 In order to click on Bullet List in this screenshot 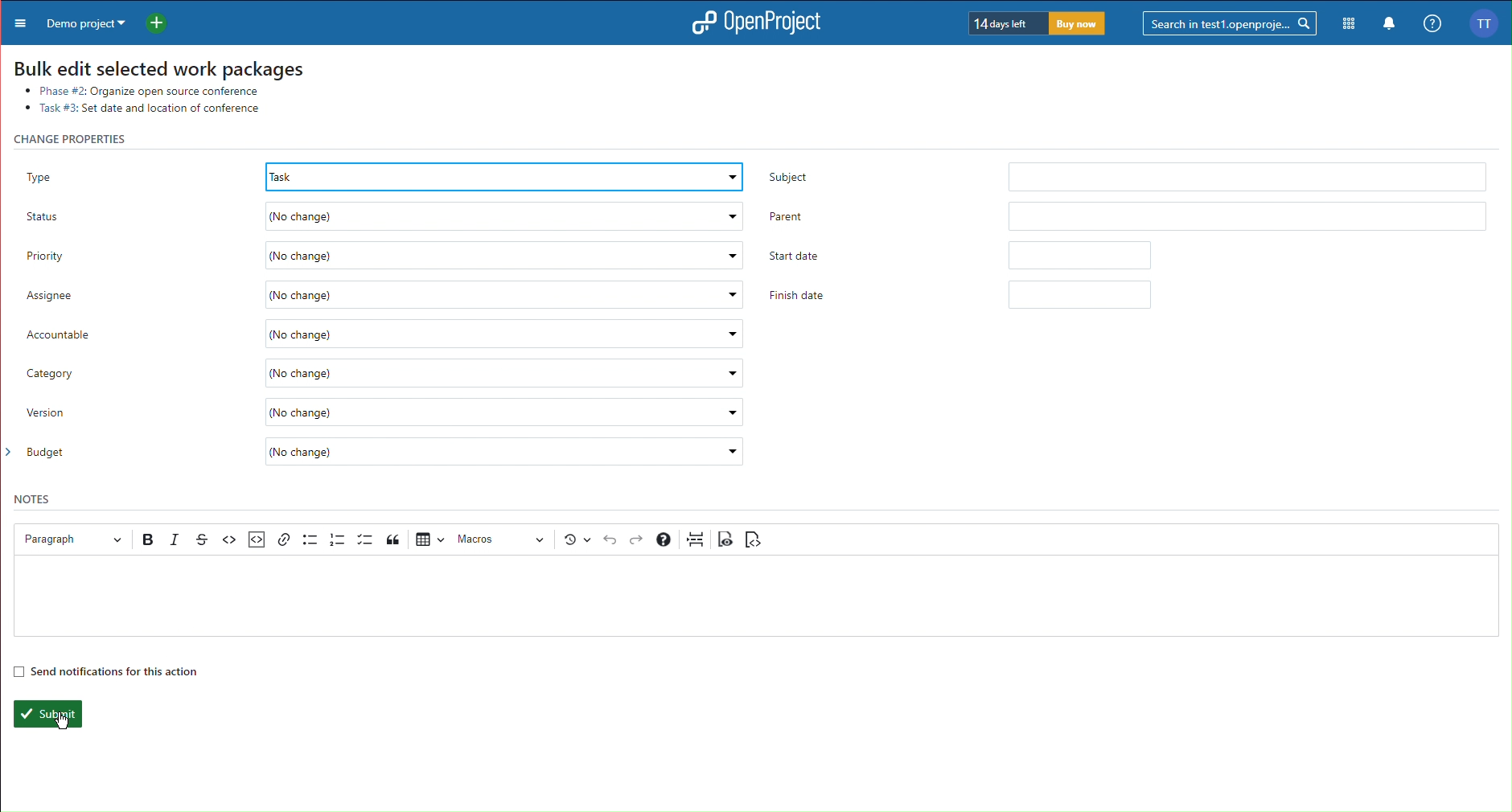, I will do `click(310, 539)`.